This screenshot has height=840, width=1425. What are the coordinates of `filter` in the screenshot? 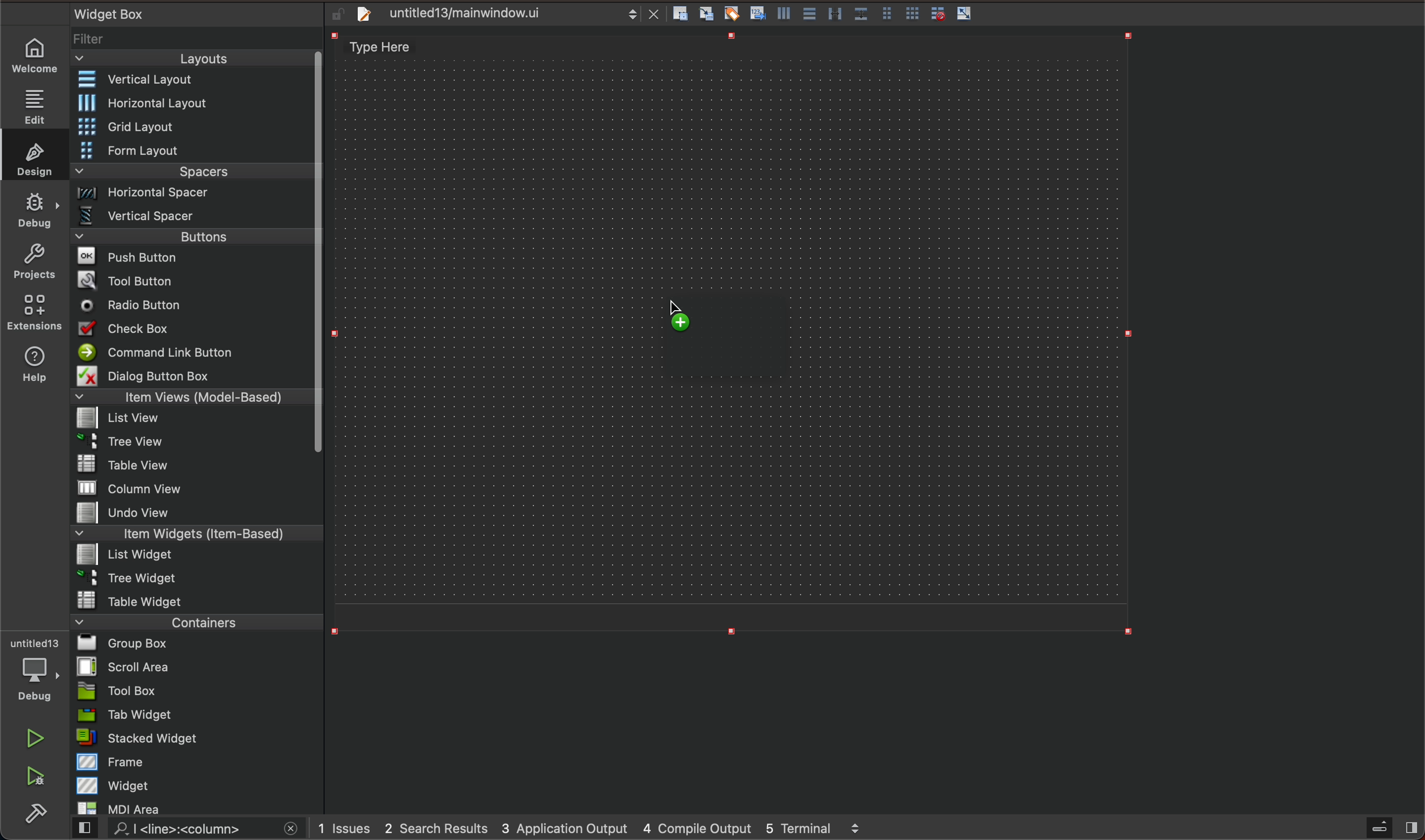 It's located at (196, 39).